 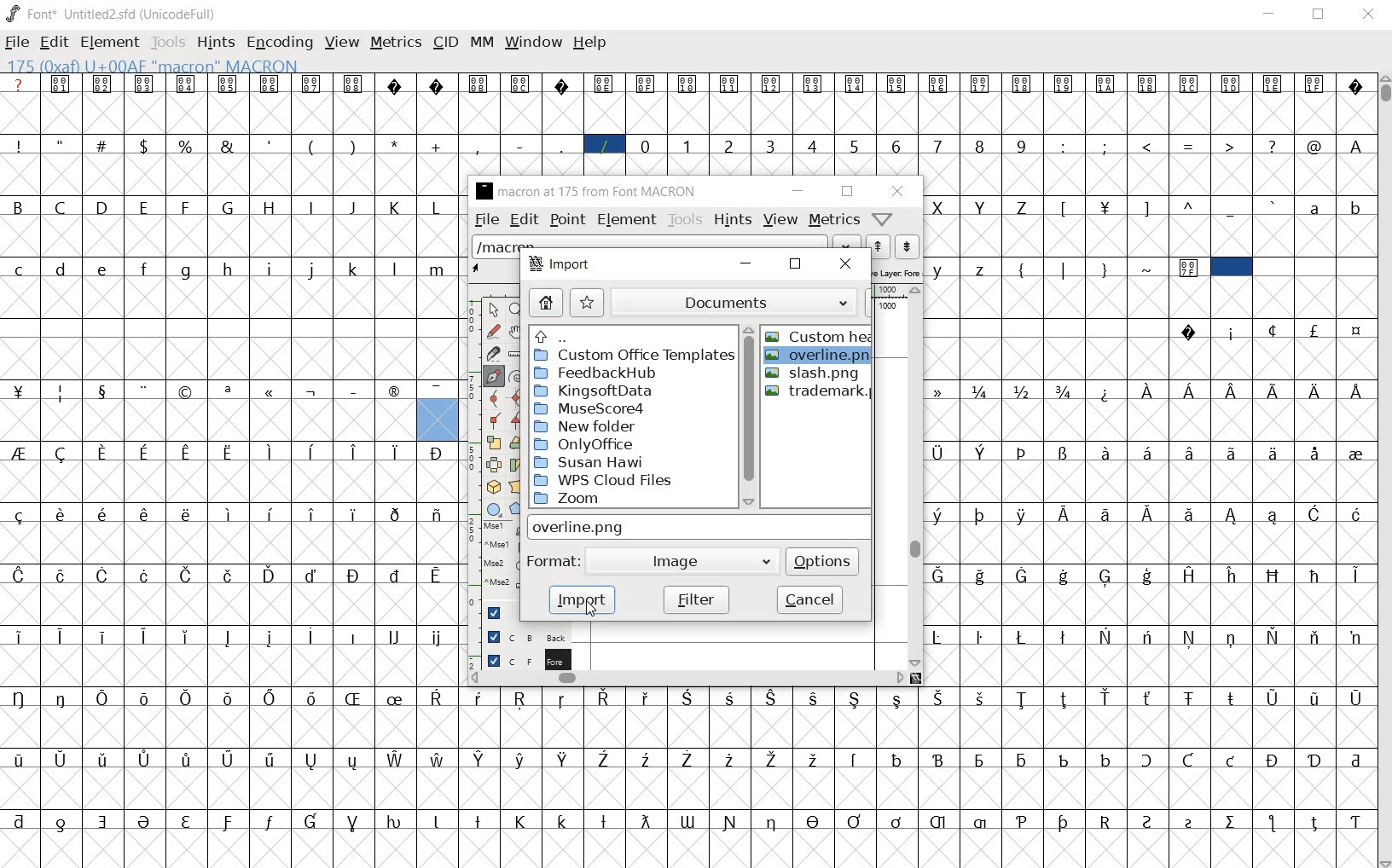 What do you see at coordinates (940, 84) in the screenshot?
I see `Symbol` at bounding box center [940, 84].